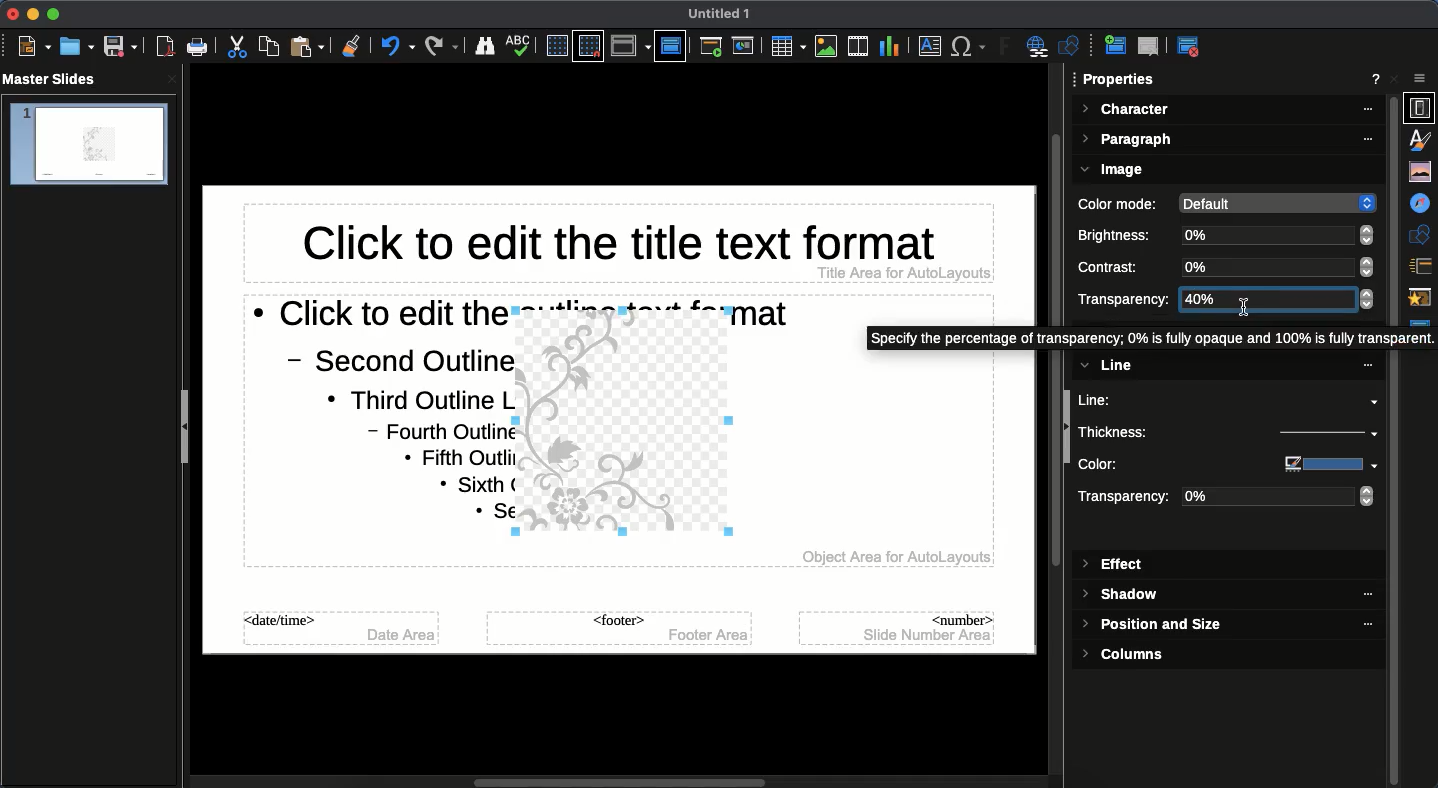 The image size is (1438, 788). I want to click on 0%, so click(1280, 498).